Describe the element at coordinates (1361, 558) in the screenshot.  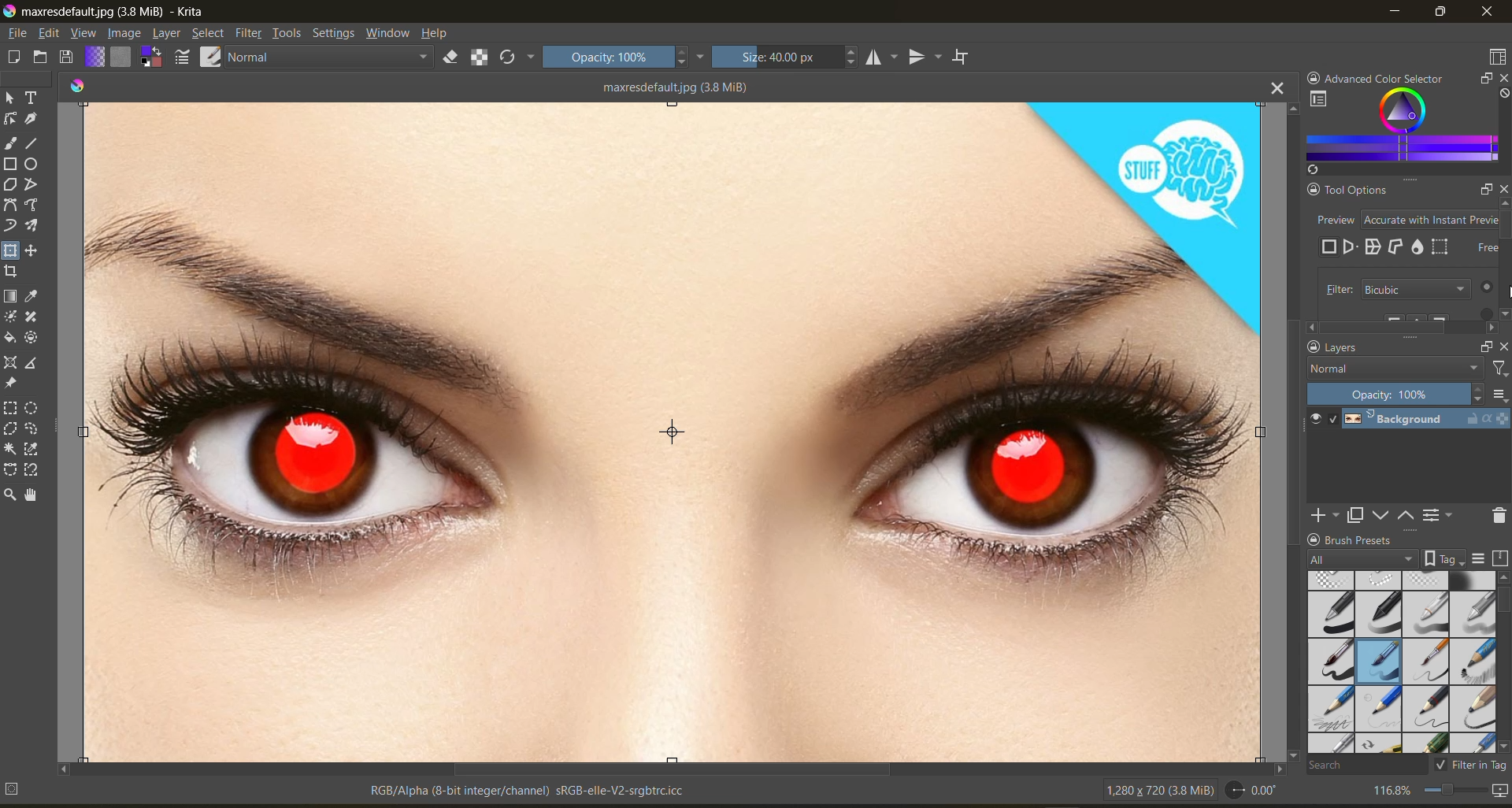
I see `tag` at that location.